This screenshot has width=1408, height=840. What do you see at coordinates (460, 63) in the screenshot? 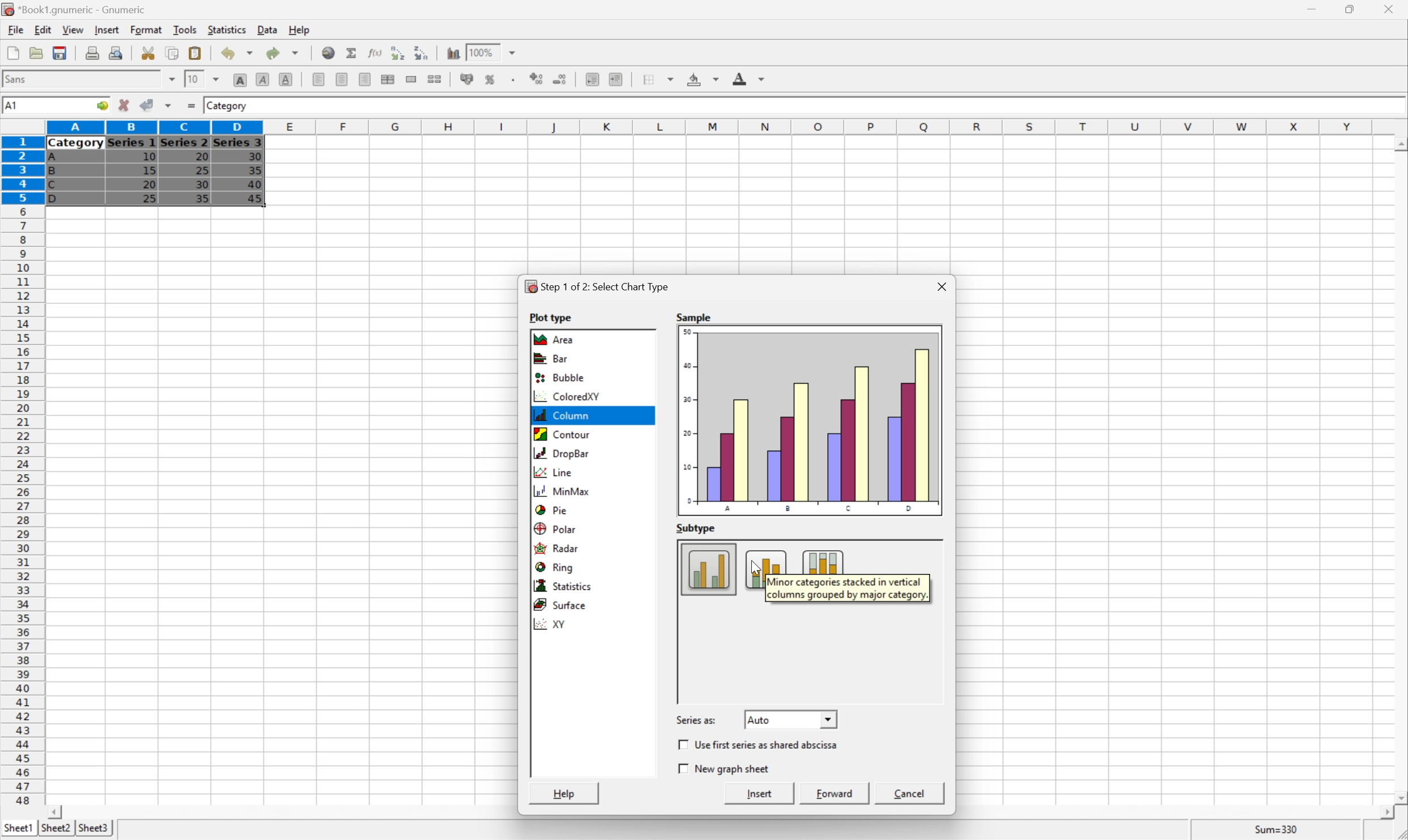
I see `Cursor` at bounding box center [460, 63].